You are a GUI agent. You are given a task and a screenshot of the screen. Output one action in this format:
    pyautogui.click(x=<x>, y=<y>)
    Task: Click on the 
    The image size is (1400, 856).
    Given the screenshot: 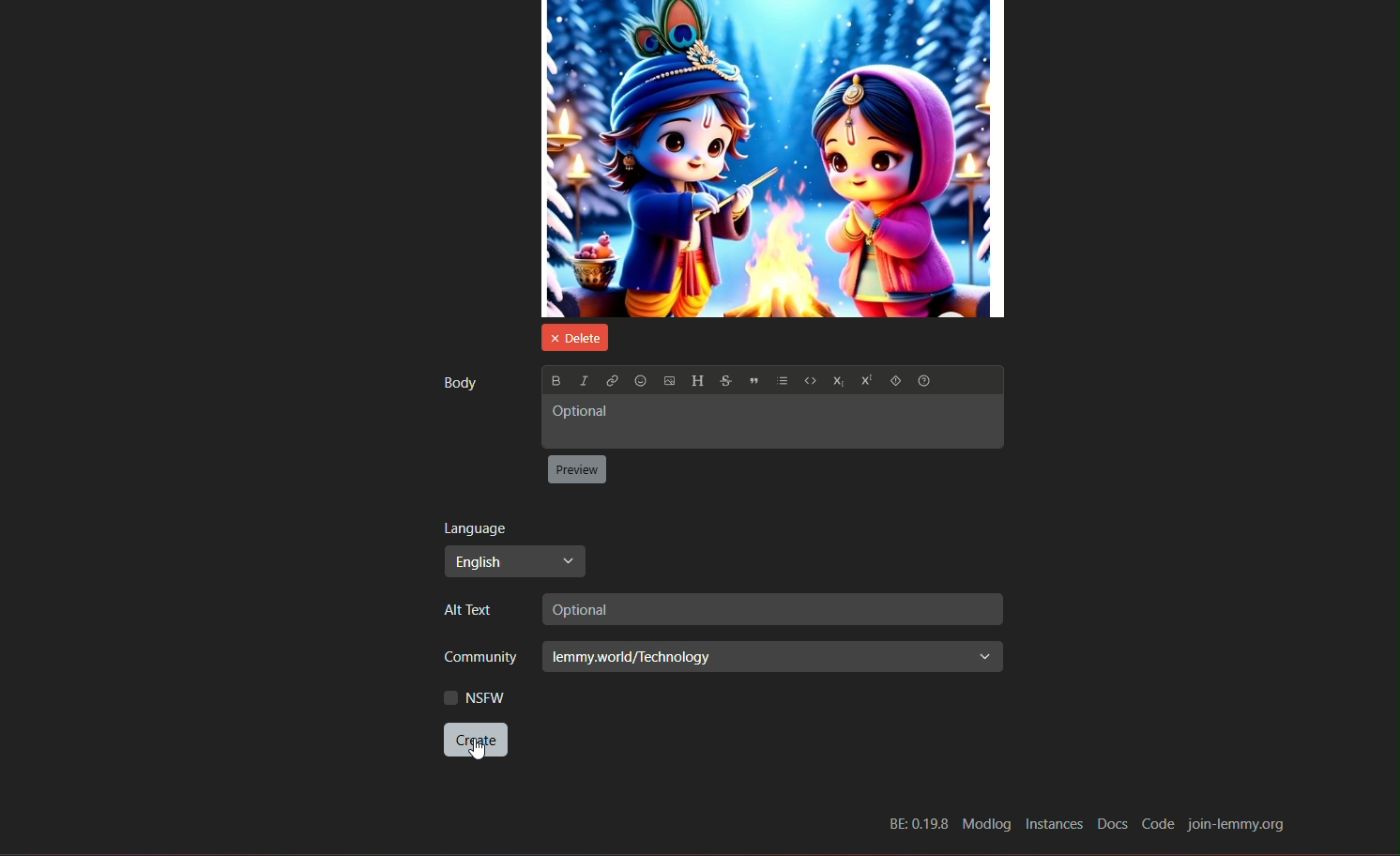 What is the action you would take?
    pyautogui.click(x=864, y=382)
    